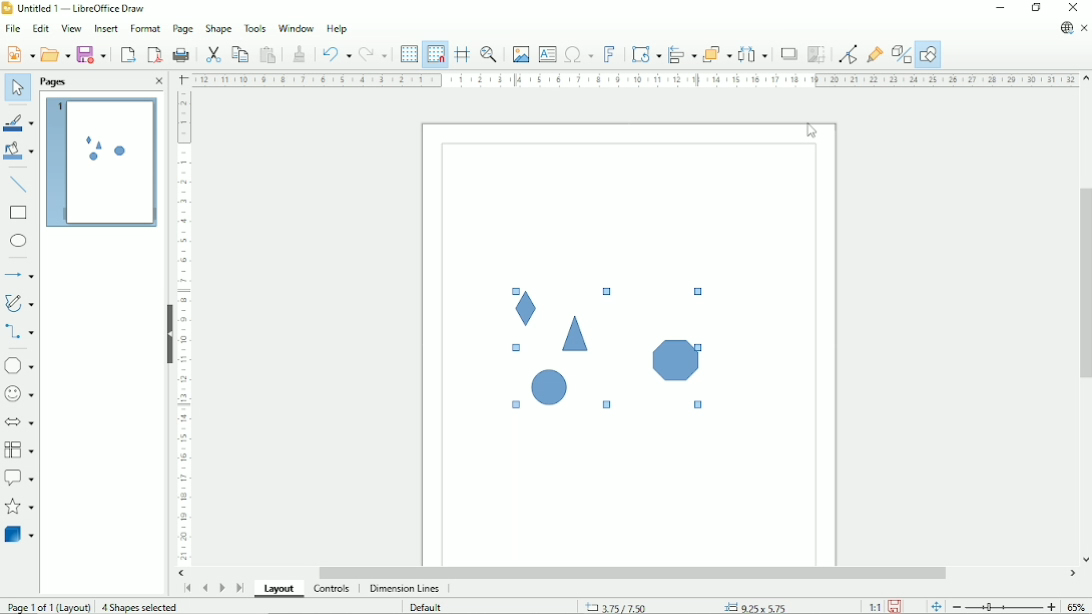 This screenshot has height=614, width=1092. Describe the element at coordinates (610, 54) in the screenshot. I see `insert fontwork text` at that location.